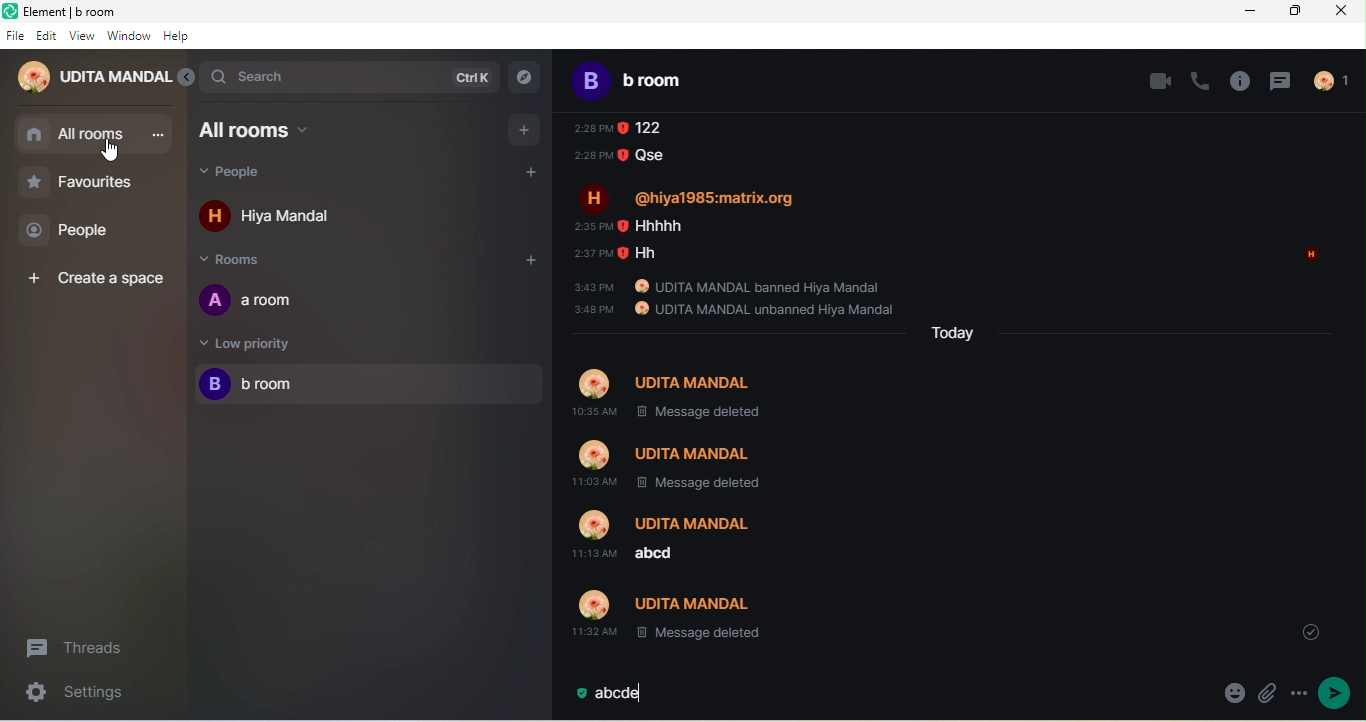  I want to click on thread, so click(1282, 81).